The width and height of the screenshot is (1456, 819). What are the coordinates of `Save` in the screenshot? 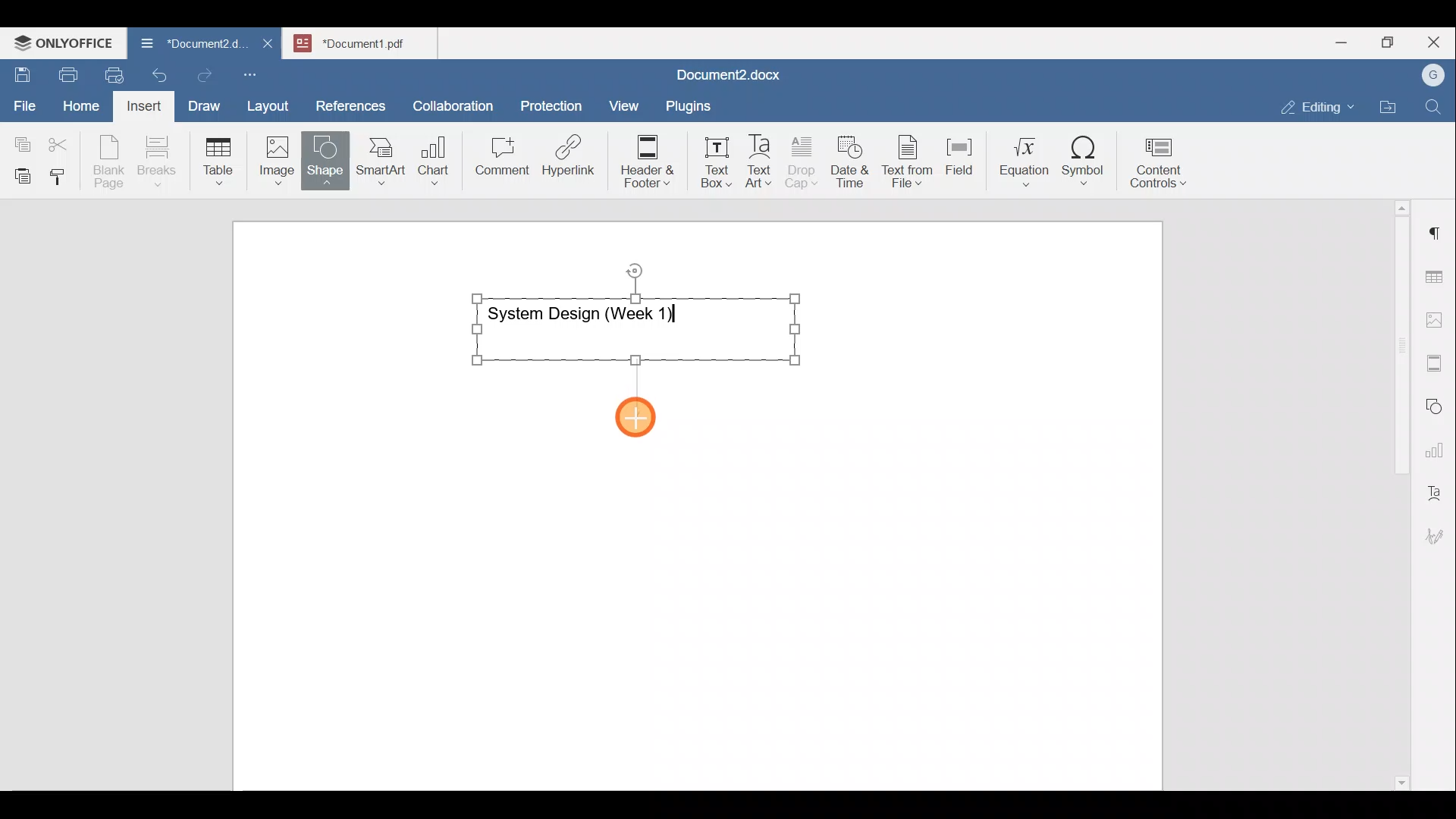 It's located at (21, 71).